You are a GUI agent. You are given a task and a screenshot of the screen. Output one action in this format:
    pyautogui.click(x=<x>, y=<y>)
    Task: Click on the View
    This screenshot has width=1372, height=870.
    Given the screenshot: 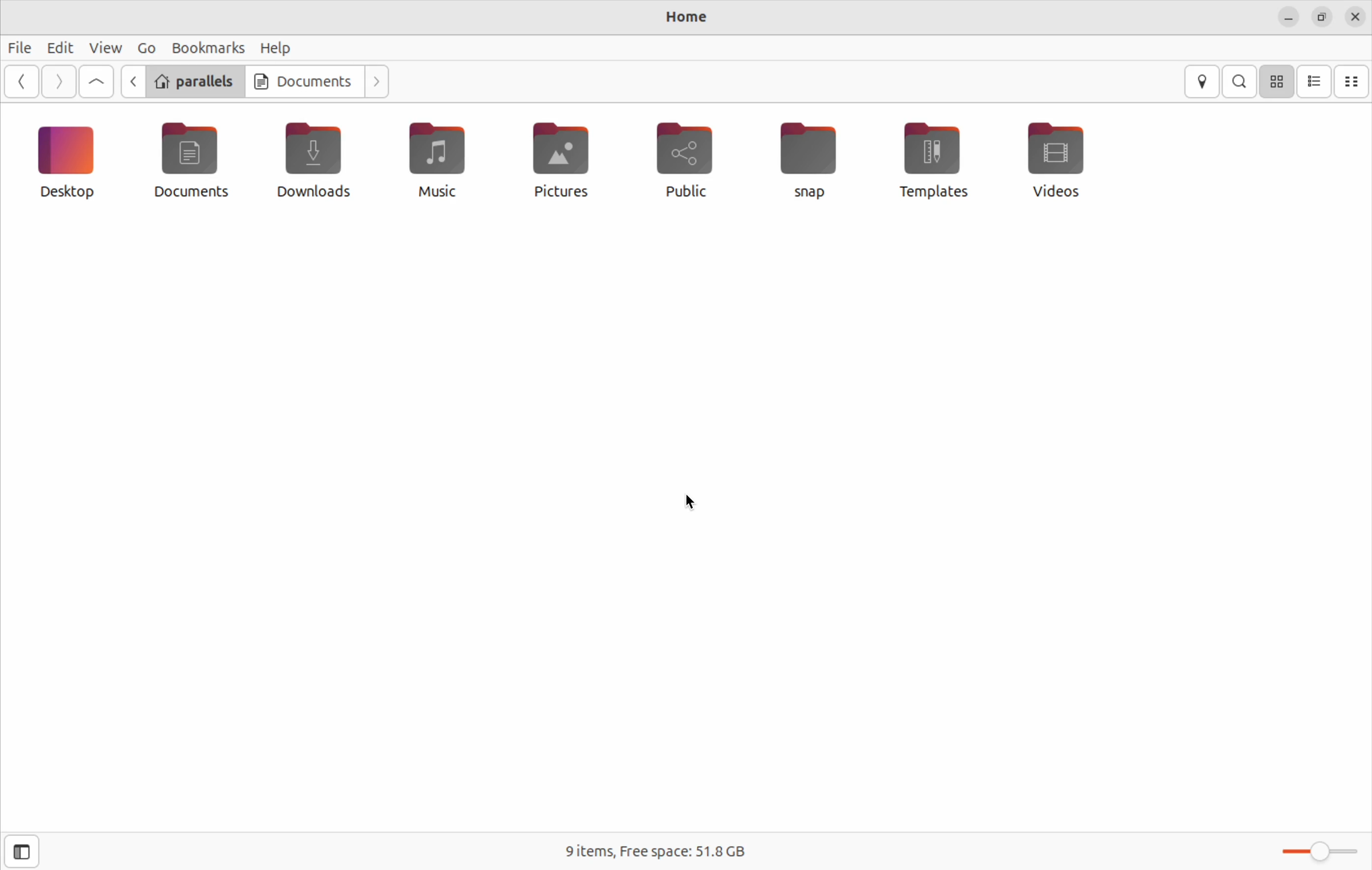 What is the action you would take?
    pyautogui.click(x=104, y=47)
    